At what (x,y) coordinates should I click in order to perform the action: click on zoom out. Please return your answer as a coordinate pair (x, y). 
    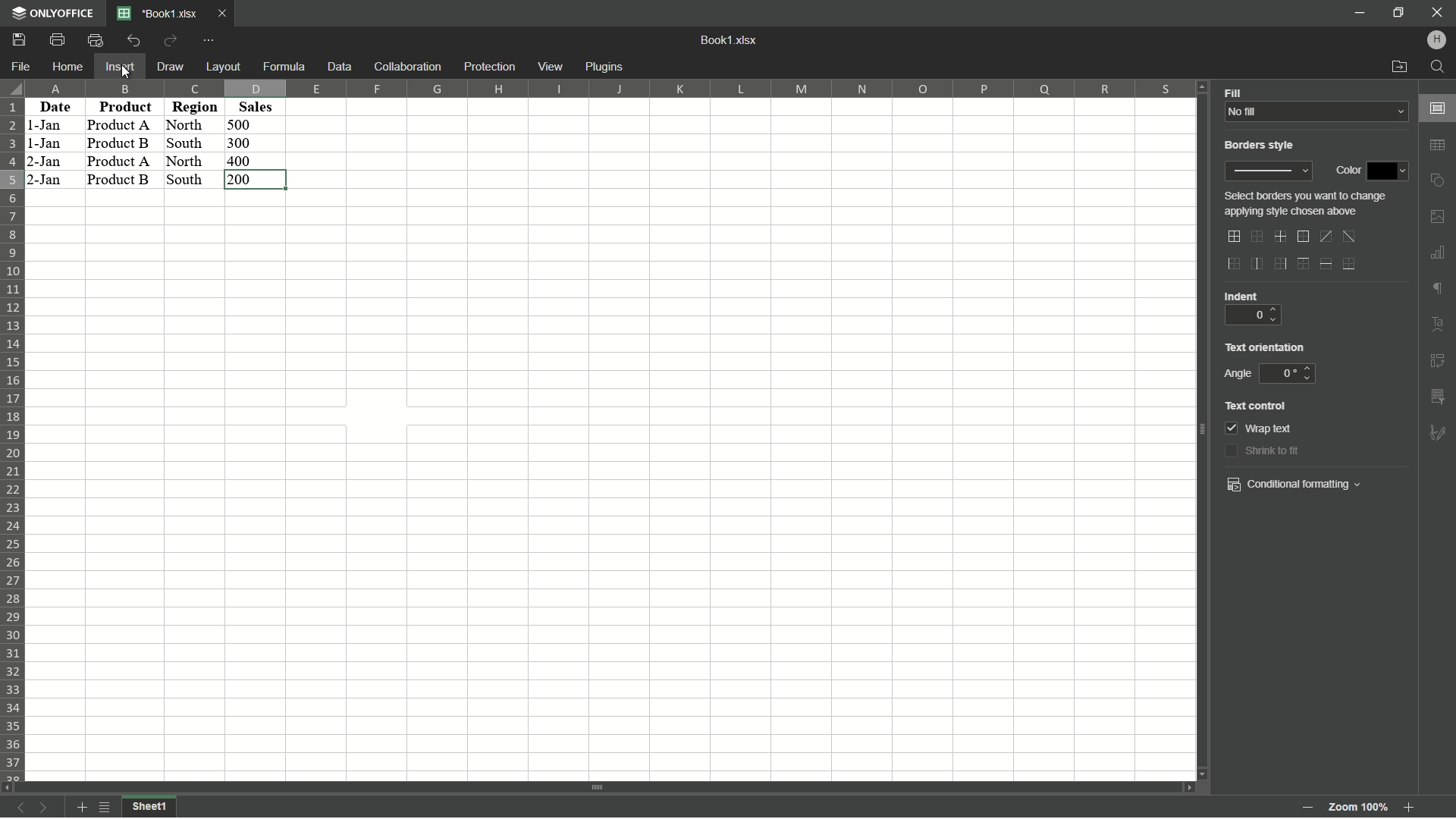
    Looking at the image, I should click on (1305, 808).